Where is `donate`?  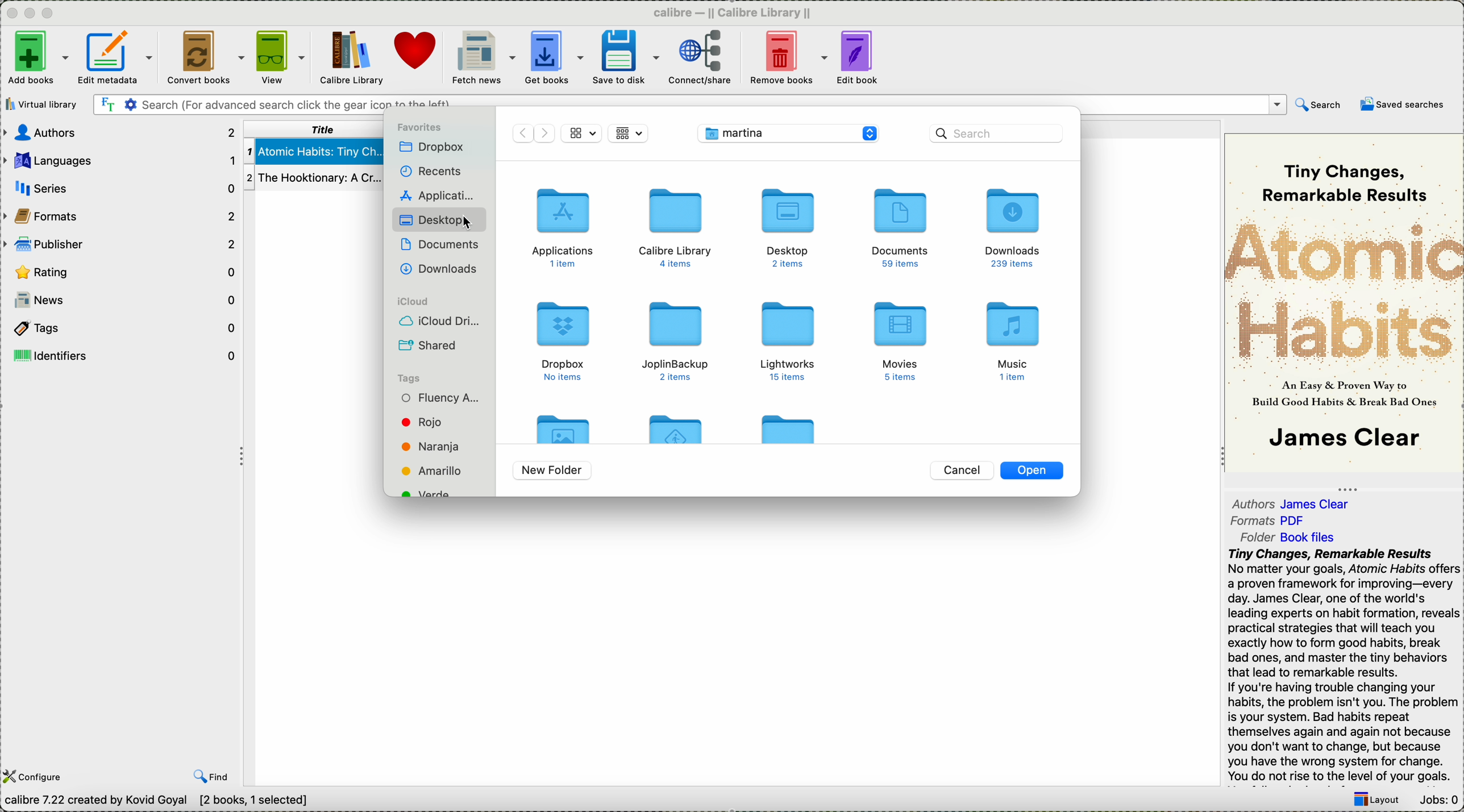
donate is located at coordinates (418, 53).